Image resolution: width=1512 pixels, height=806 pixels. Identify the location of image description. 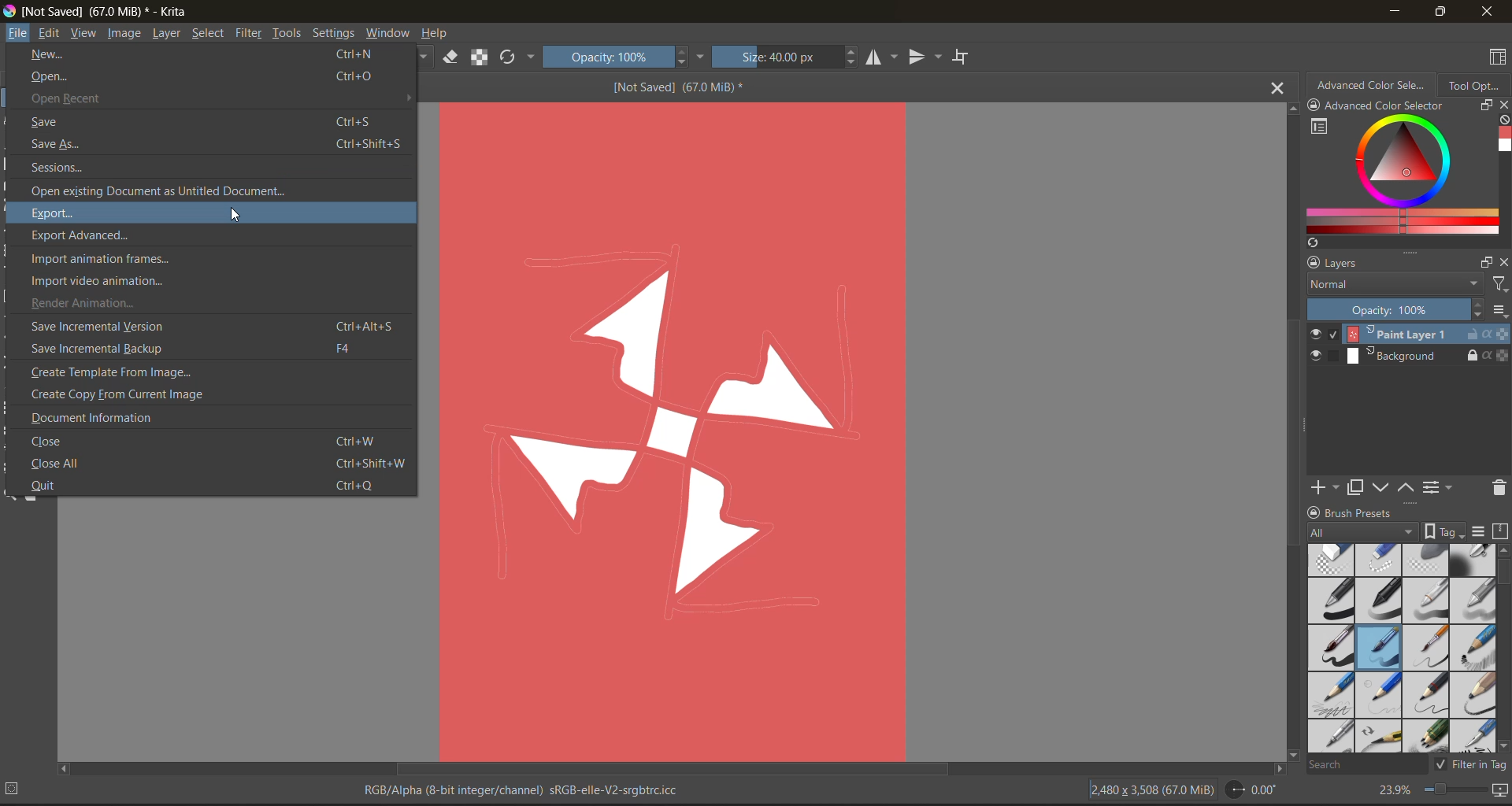
(1155, 790).